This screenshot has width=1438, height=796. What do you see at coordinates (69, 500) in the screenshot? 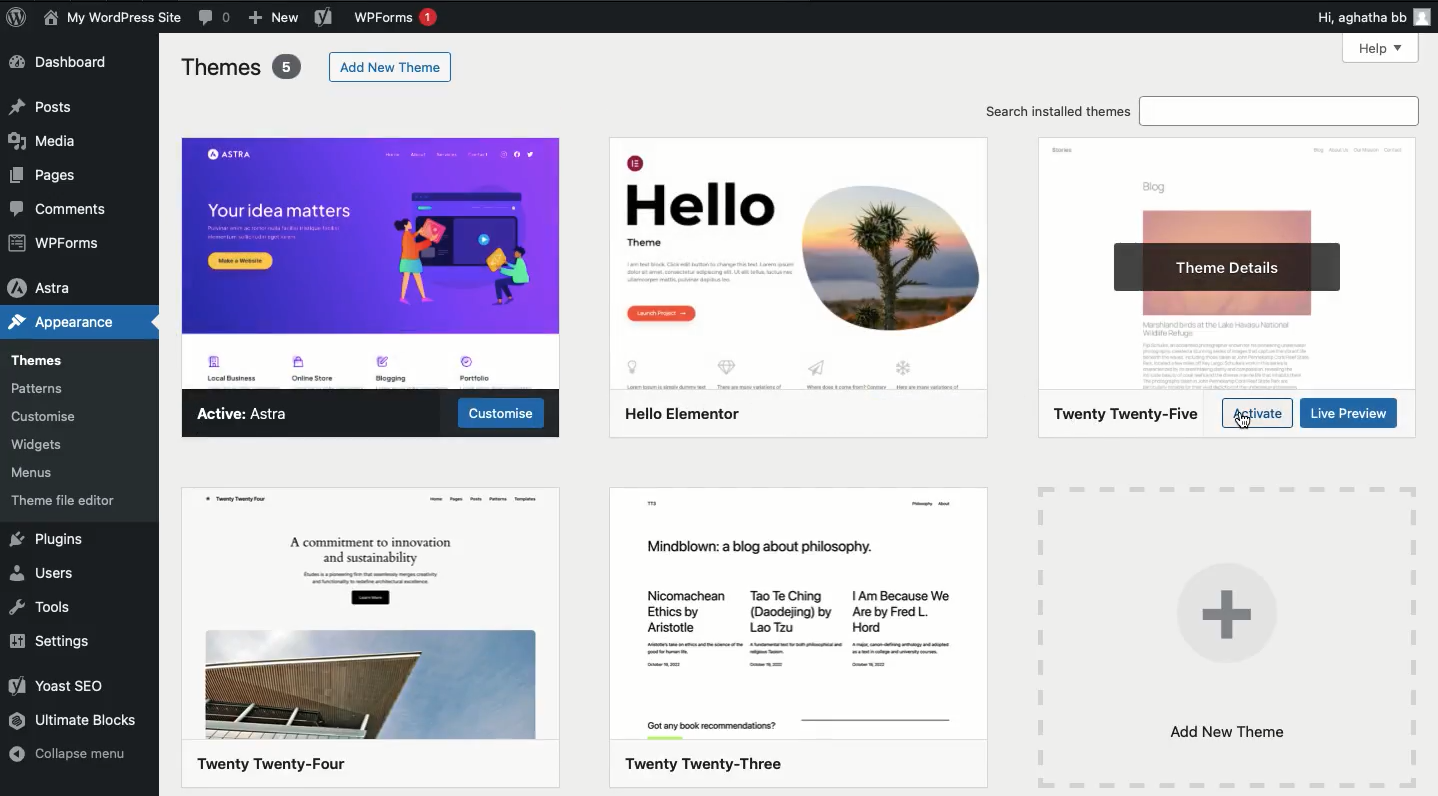
I see `Theme file editor` at bounding box center [69, 500].